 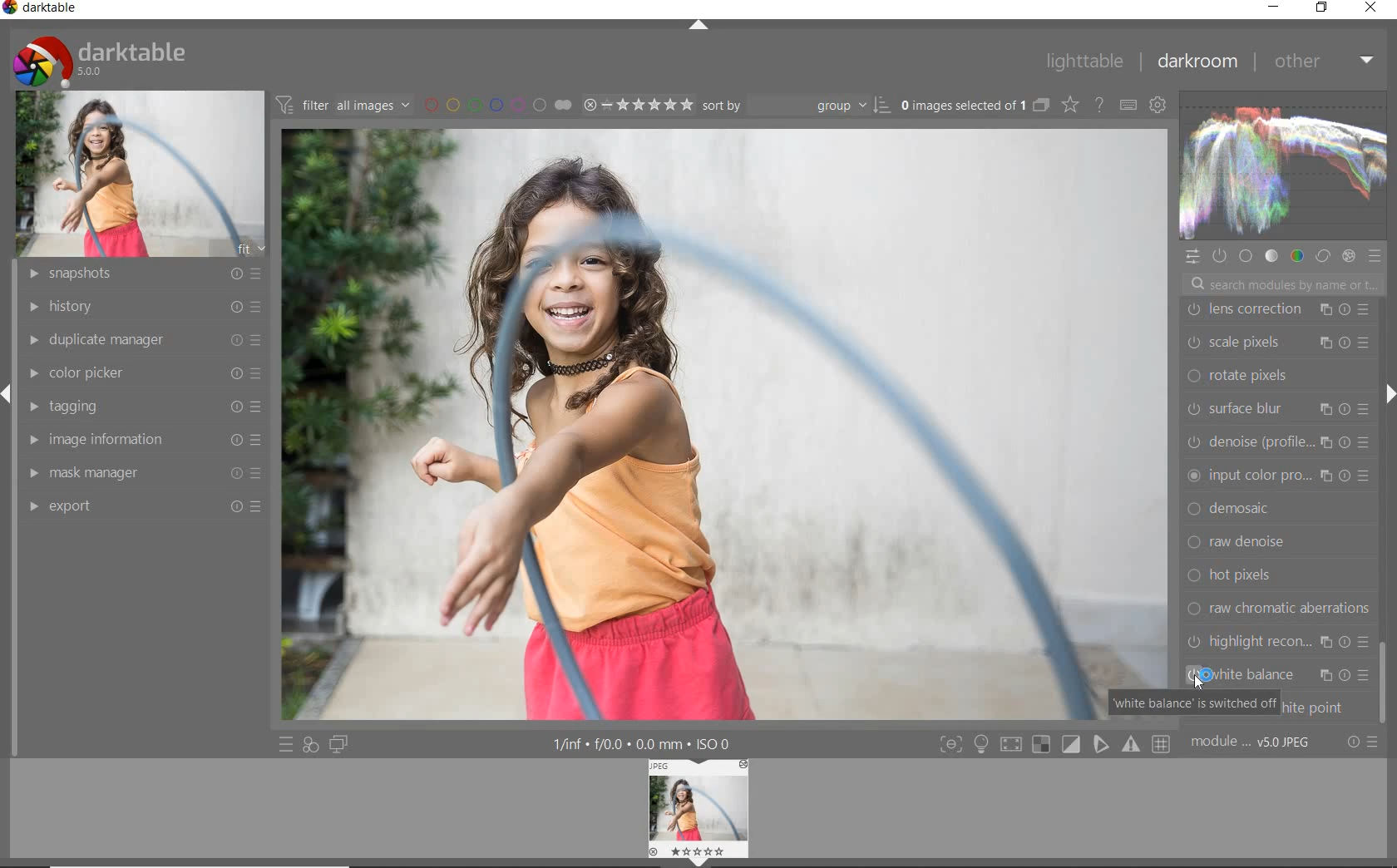 What do you see at coordinates (1281, 286) in the screenshot?
I see `search modules` at bounding box center [1281, 286].